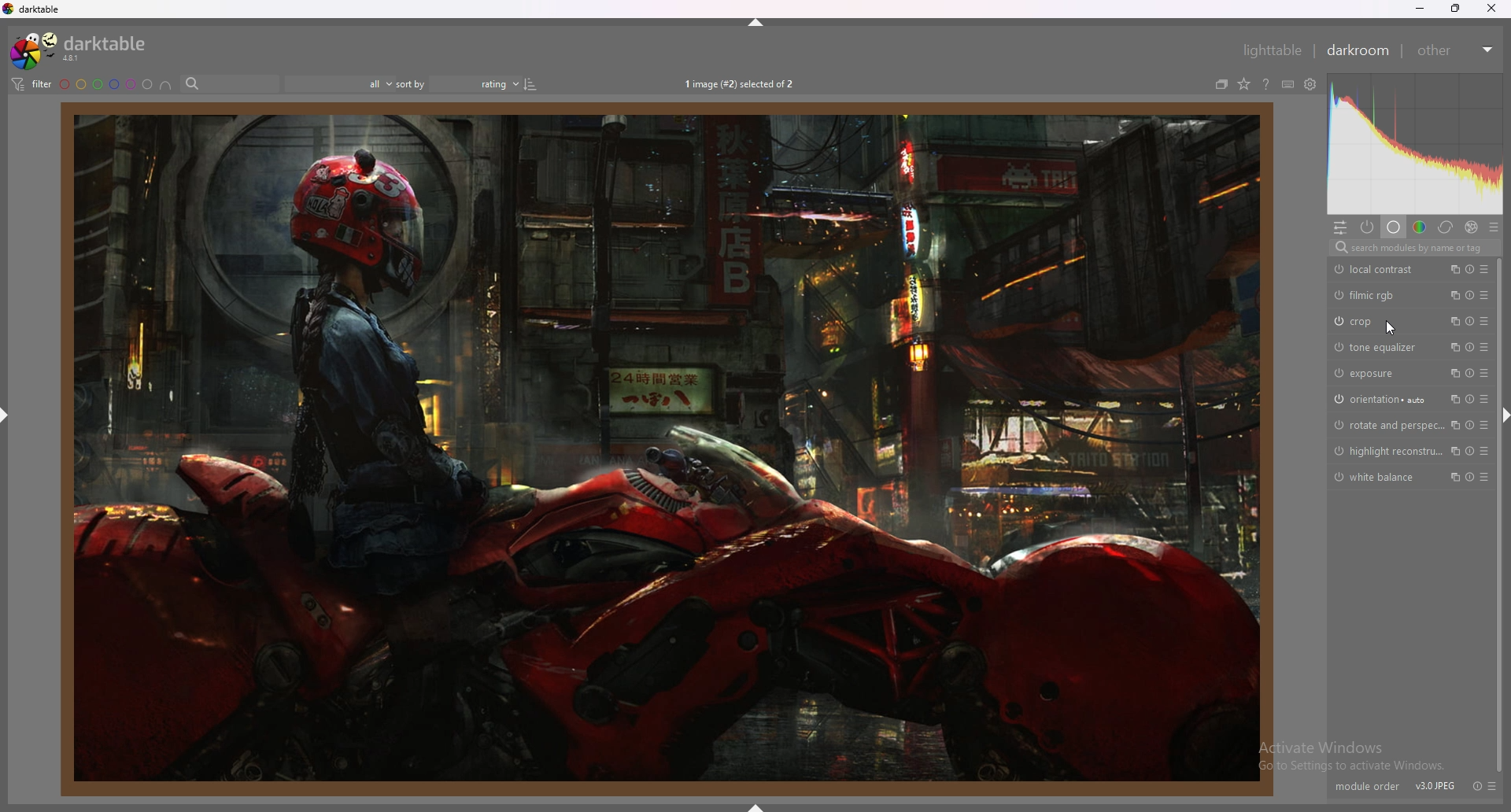 This screenshot has height=812, width=1511. What do you see at coordinates (1395, 227) in the screenshot?
I see `base` at bounding box center [1395, 227].